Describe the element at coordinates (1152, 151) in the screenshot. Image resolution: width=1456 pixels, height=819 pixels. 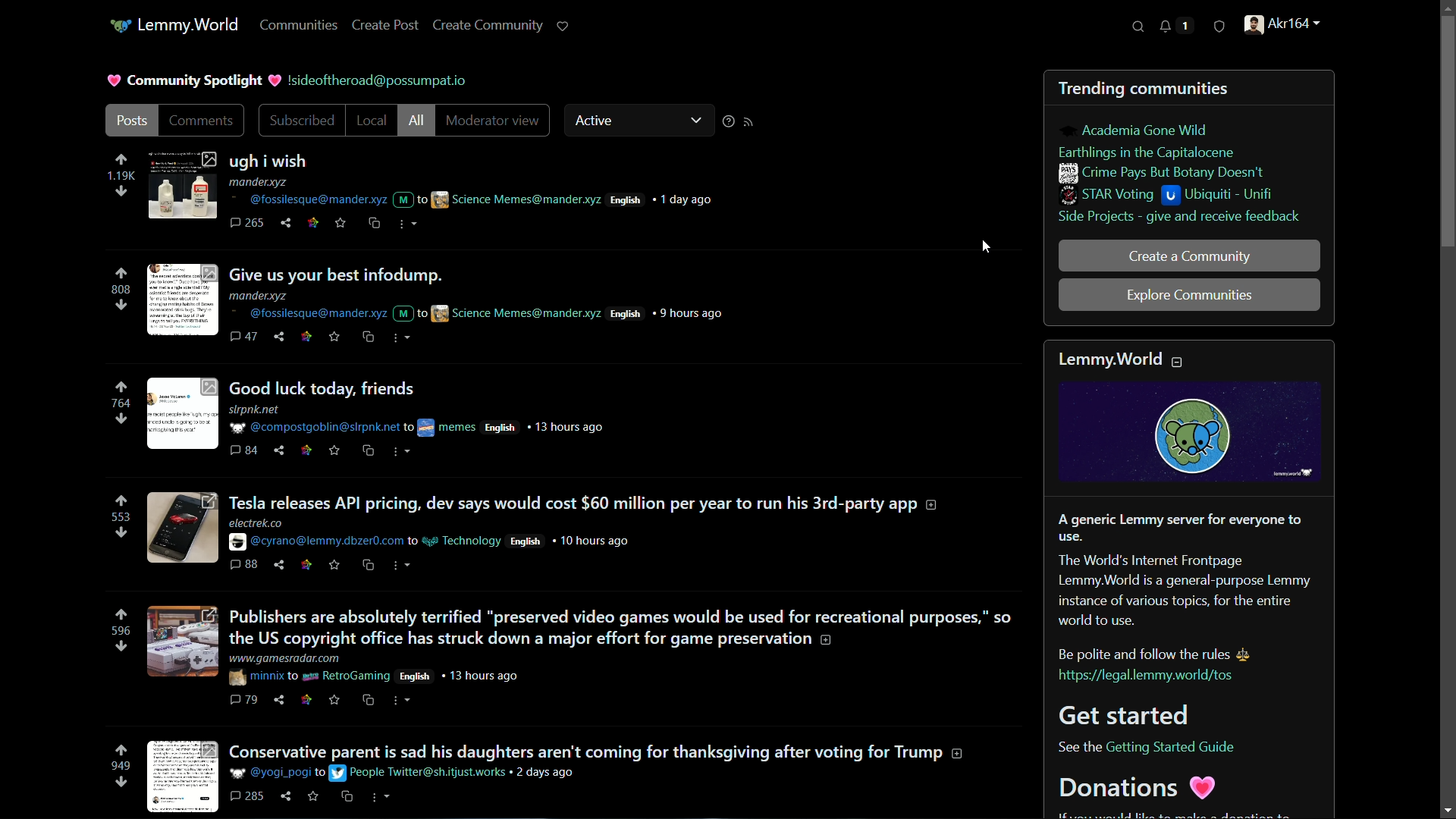
I see `earthlings in the capitalocene` at that location.